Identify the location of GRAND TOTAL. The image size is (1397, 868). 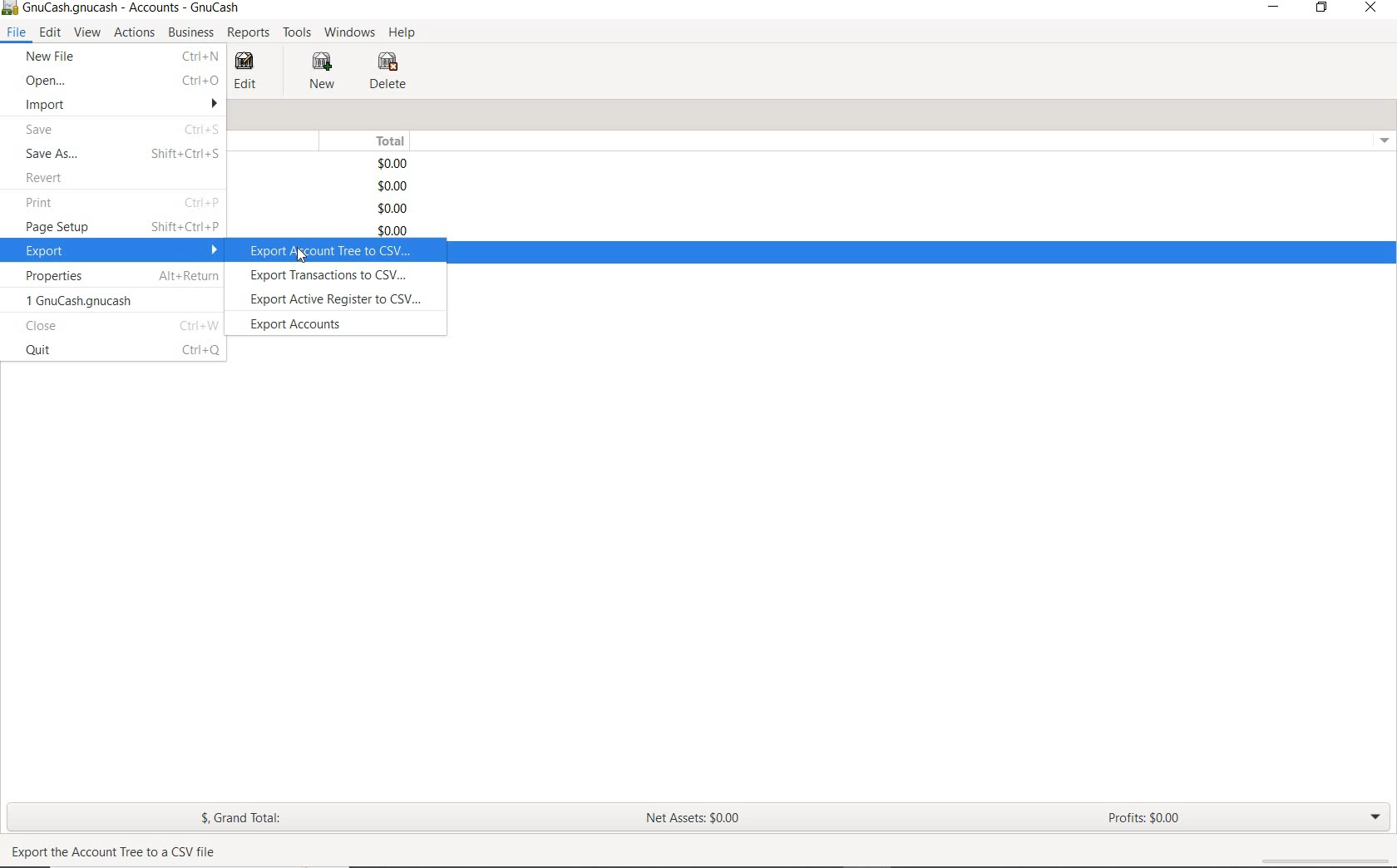
(240, 819).